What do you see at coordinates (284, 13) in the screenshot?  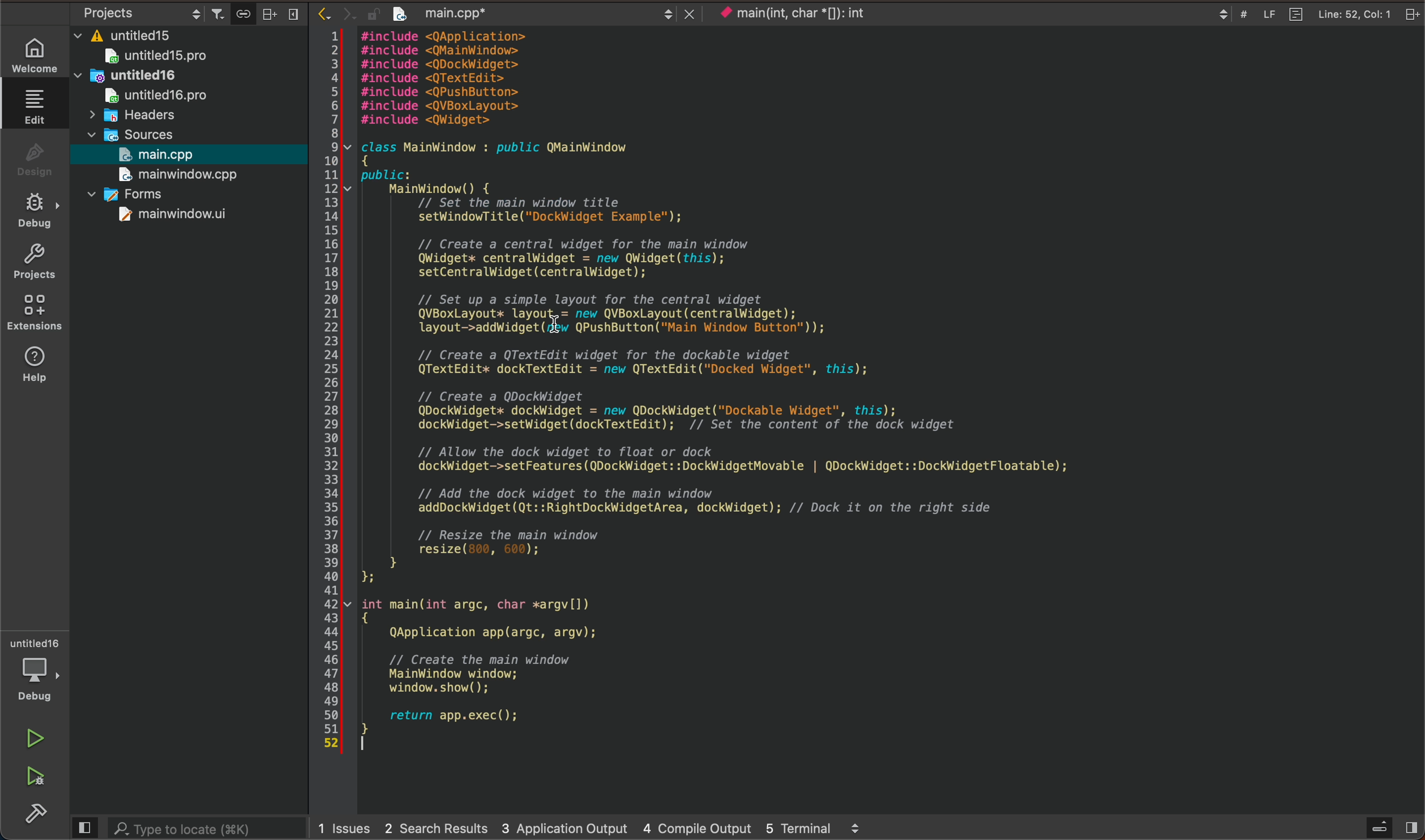 I see `close bar` at bounding box center [284, 13].